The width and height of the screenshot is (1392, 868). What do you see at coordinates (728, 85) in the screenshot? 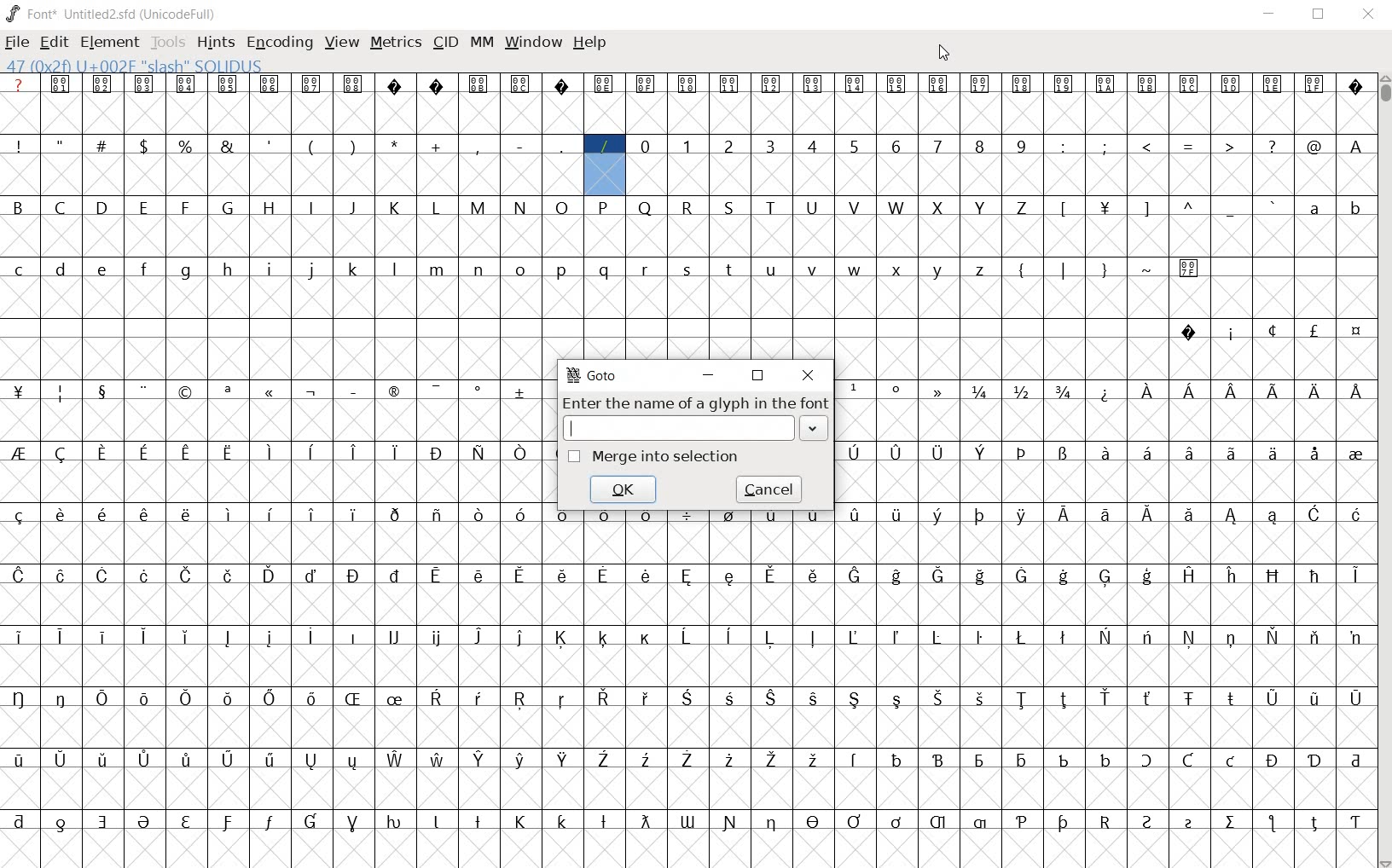
I see `glyph` at bounding box center [728, 85].